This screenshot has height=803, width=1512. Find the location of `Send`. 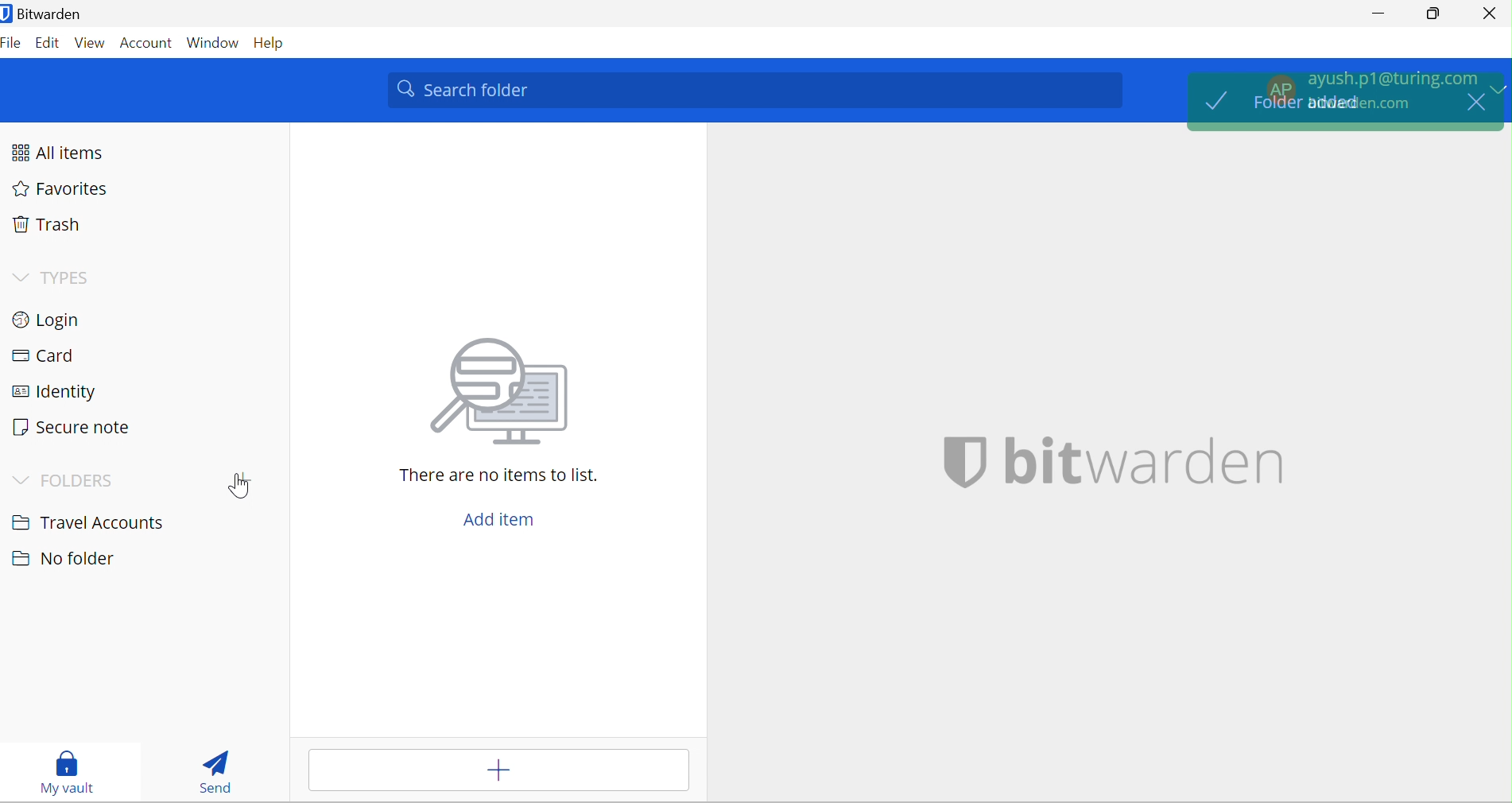

Send is located at coordinates (216, 770).